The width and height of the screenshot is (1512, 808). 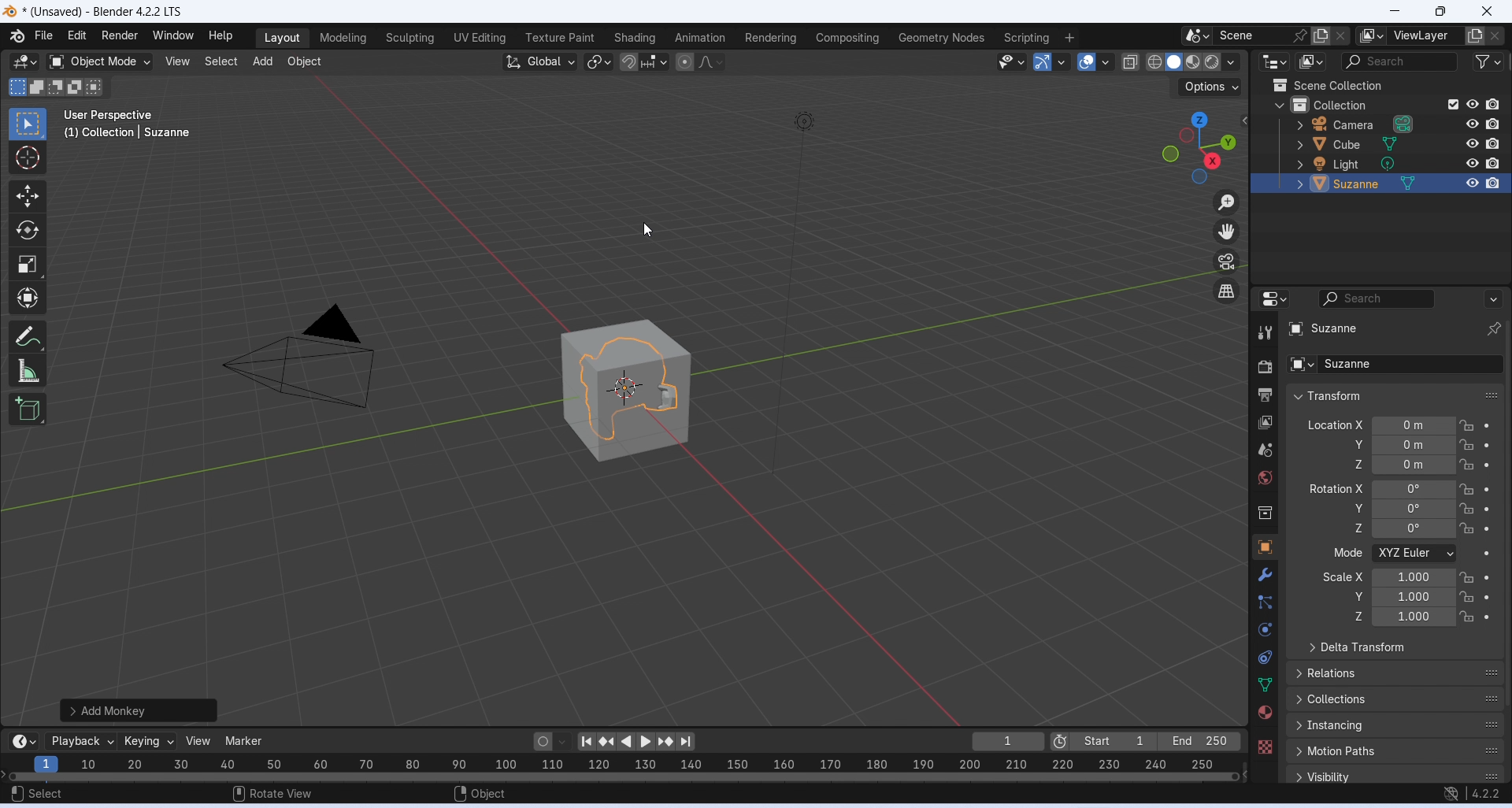 What do you see at coordinates (1466, 617) in the screenshot?
I see `lock location` at bounding box center [1466, 617].